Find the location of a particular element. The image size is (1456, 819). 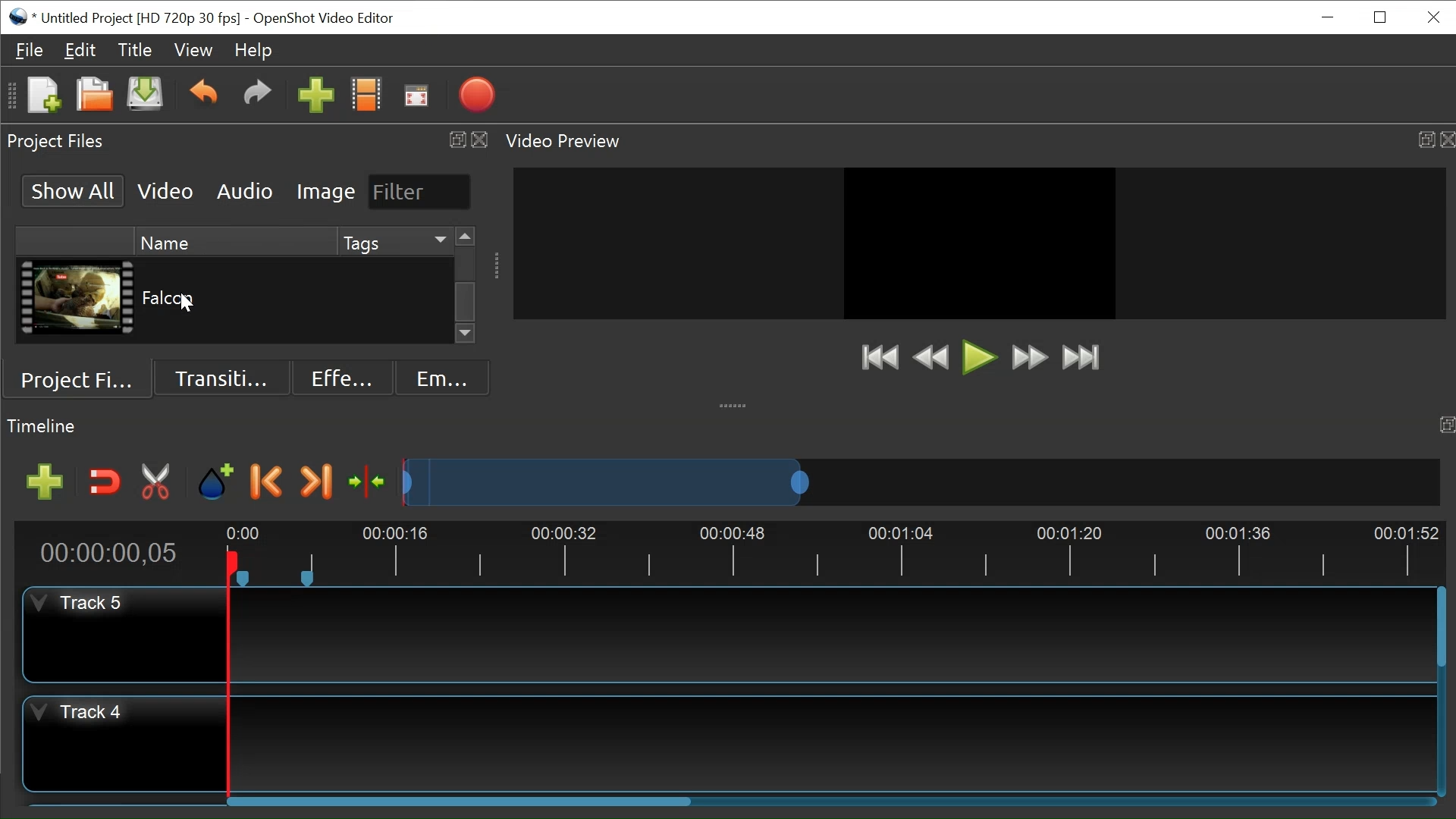

Title is located at coordinates (138, 52).